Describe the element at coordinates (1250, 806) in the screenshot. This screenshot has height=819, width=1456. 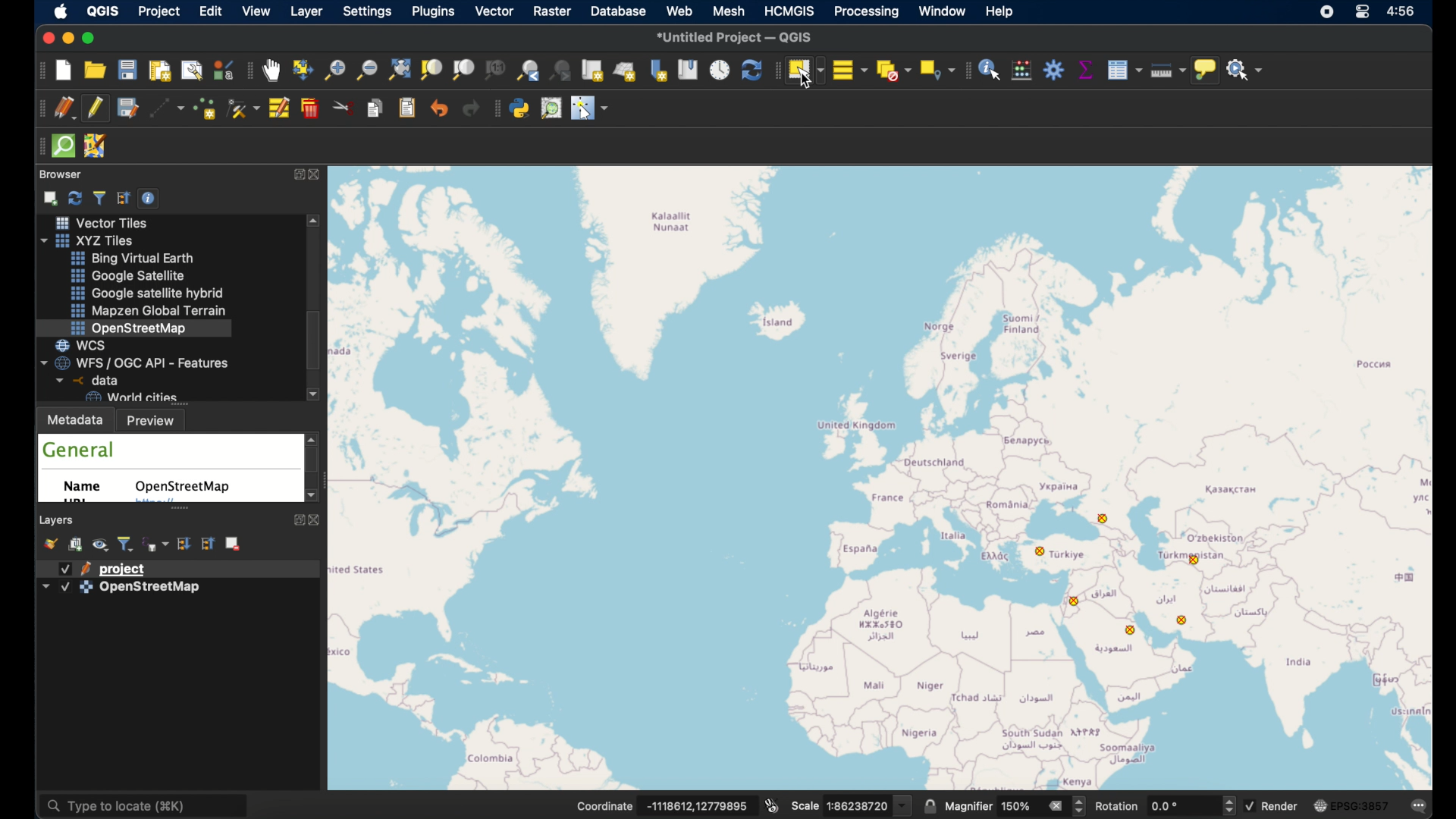
I see `checkbox` at that location.